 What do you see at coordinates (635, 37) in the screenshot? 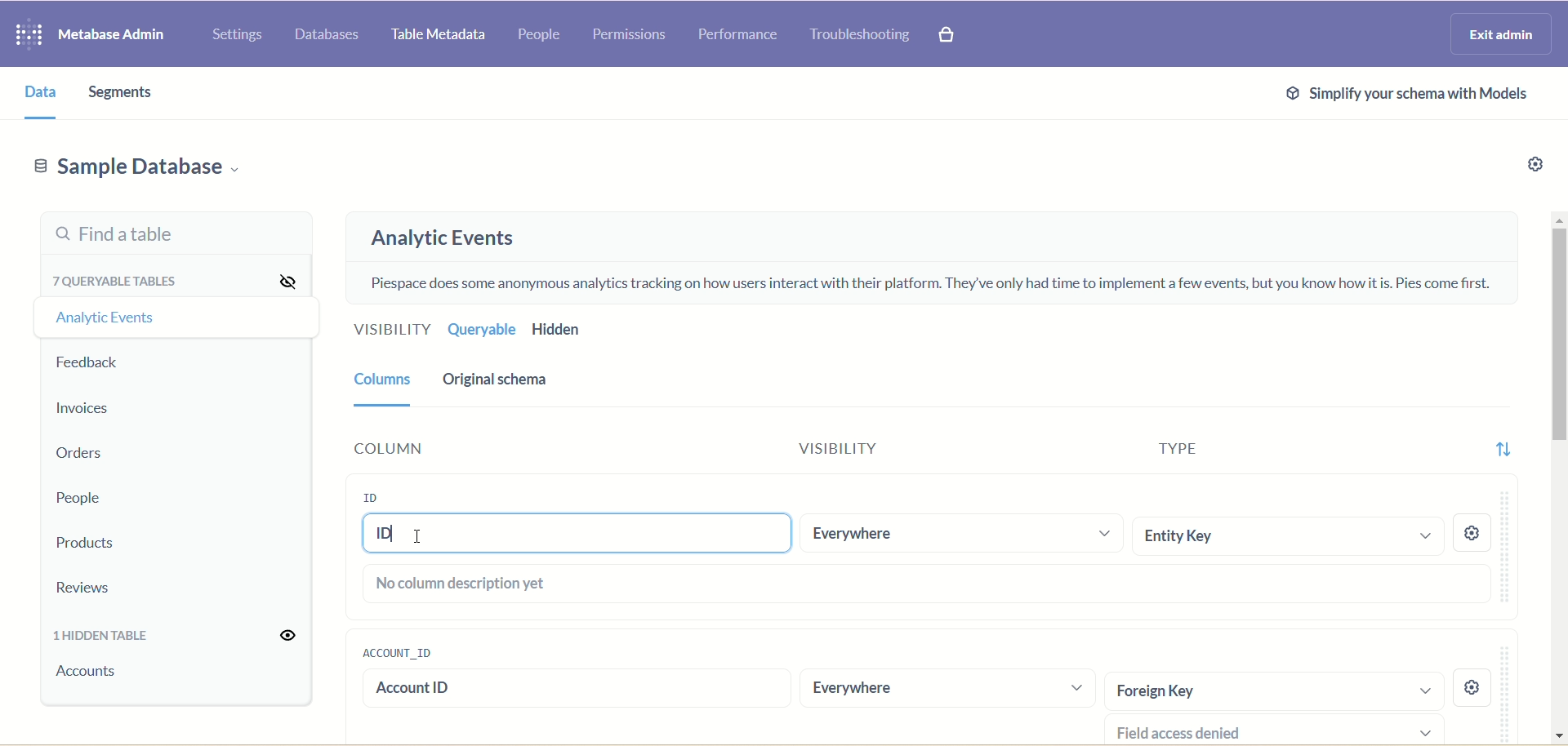
I see `Permissions` at bounding box center [635, 37].